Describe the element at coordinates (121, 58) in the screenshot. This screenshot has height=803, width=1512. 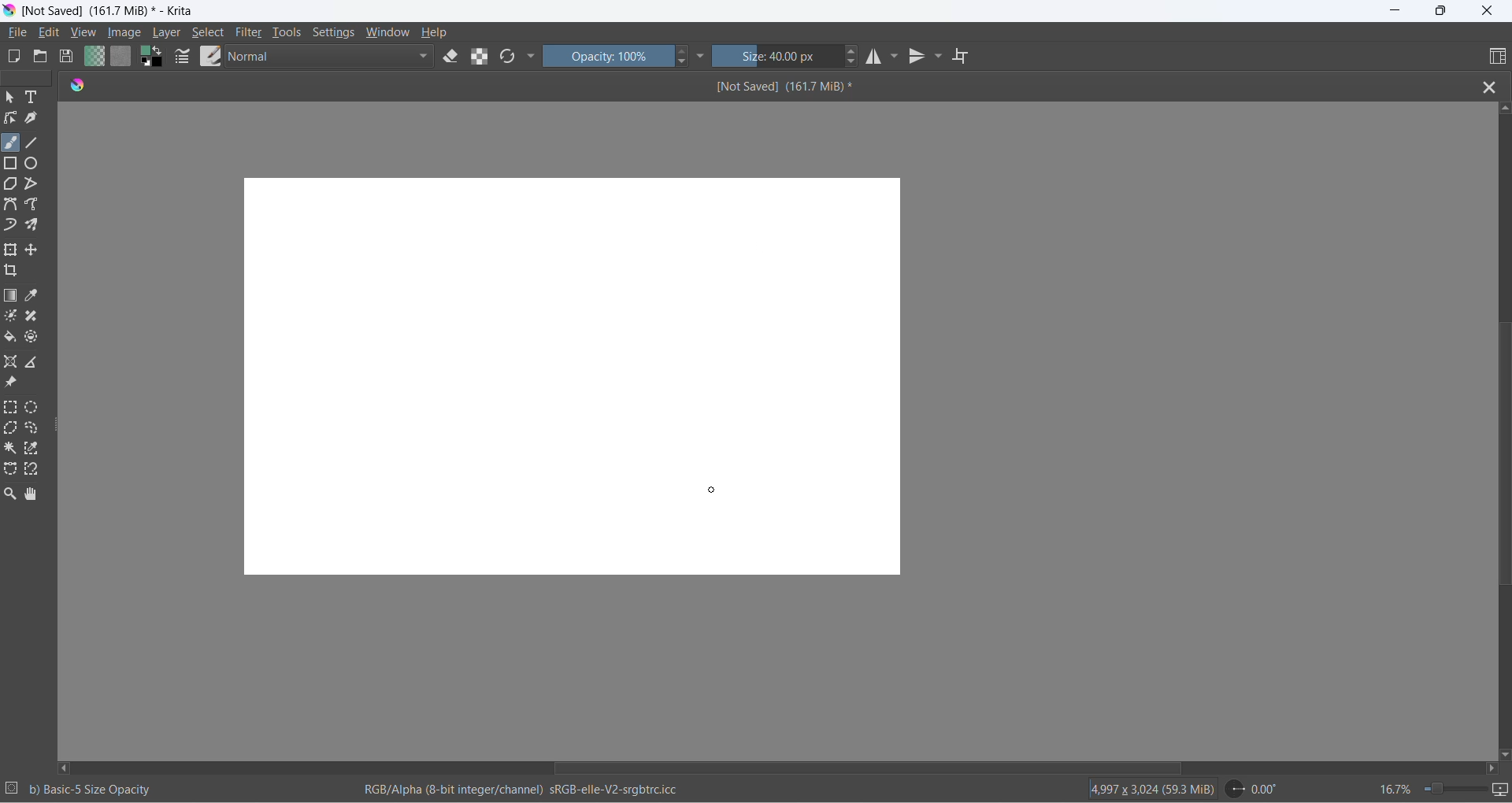
I see `fill patterns` at that location.